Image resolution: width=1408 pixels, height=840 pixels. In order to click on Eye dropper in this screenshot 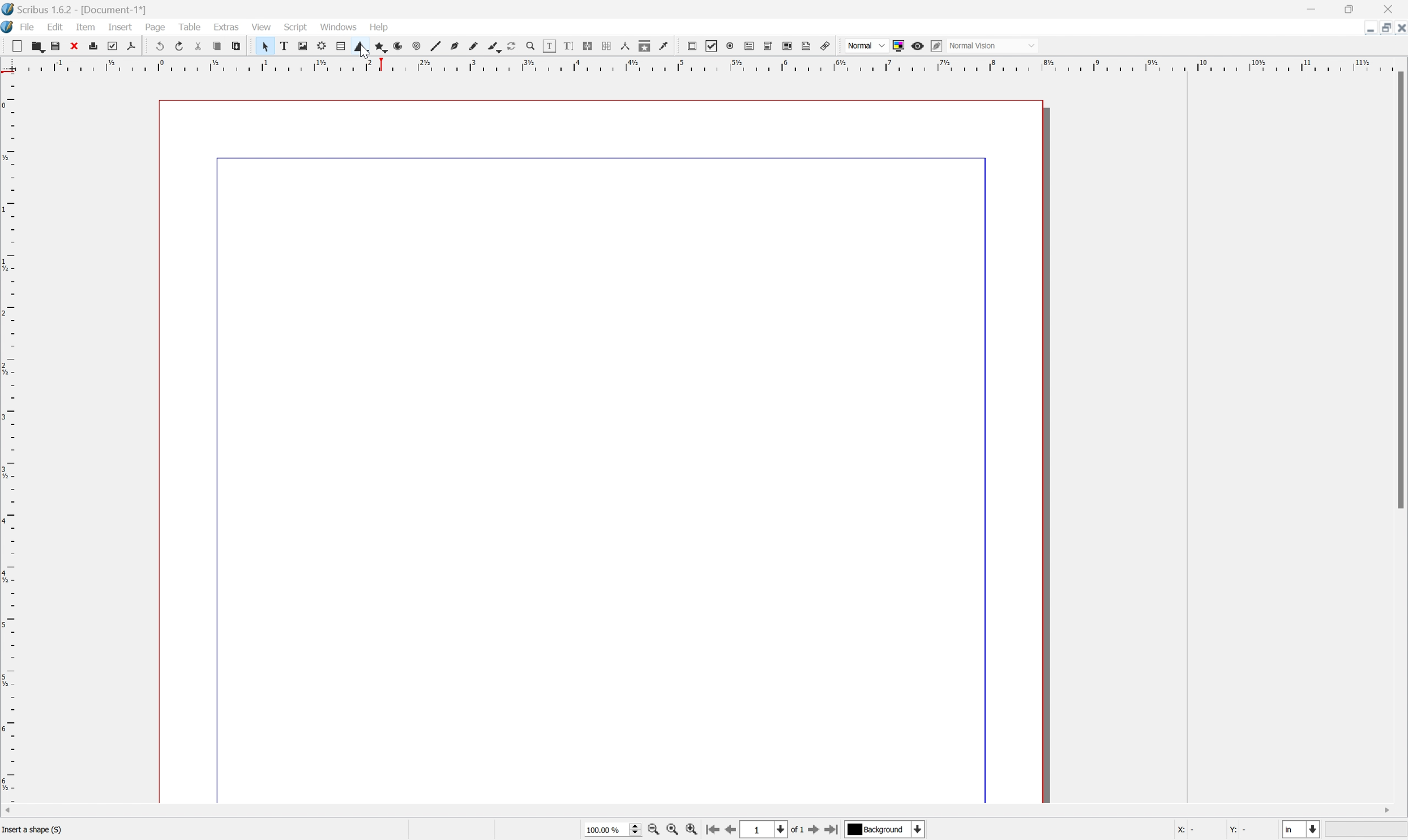, I will do `click(667, 46)`.